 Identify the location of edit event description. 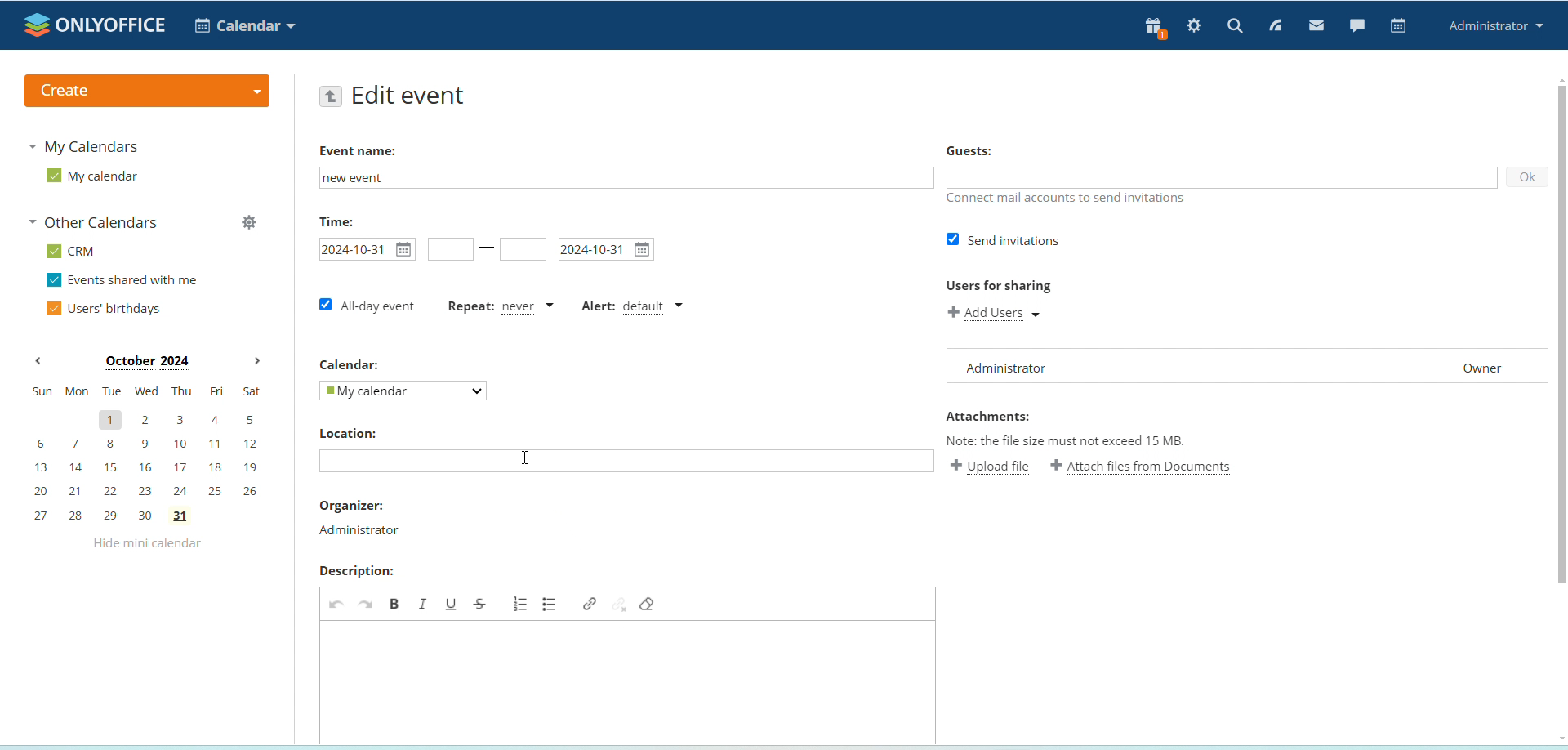
(626, 681).